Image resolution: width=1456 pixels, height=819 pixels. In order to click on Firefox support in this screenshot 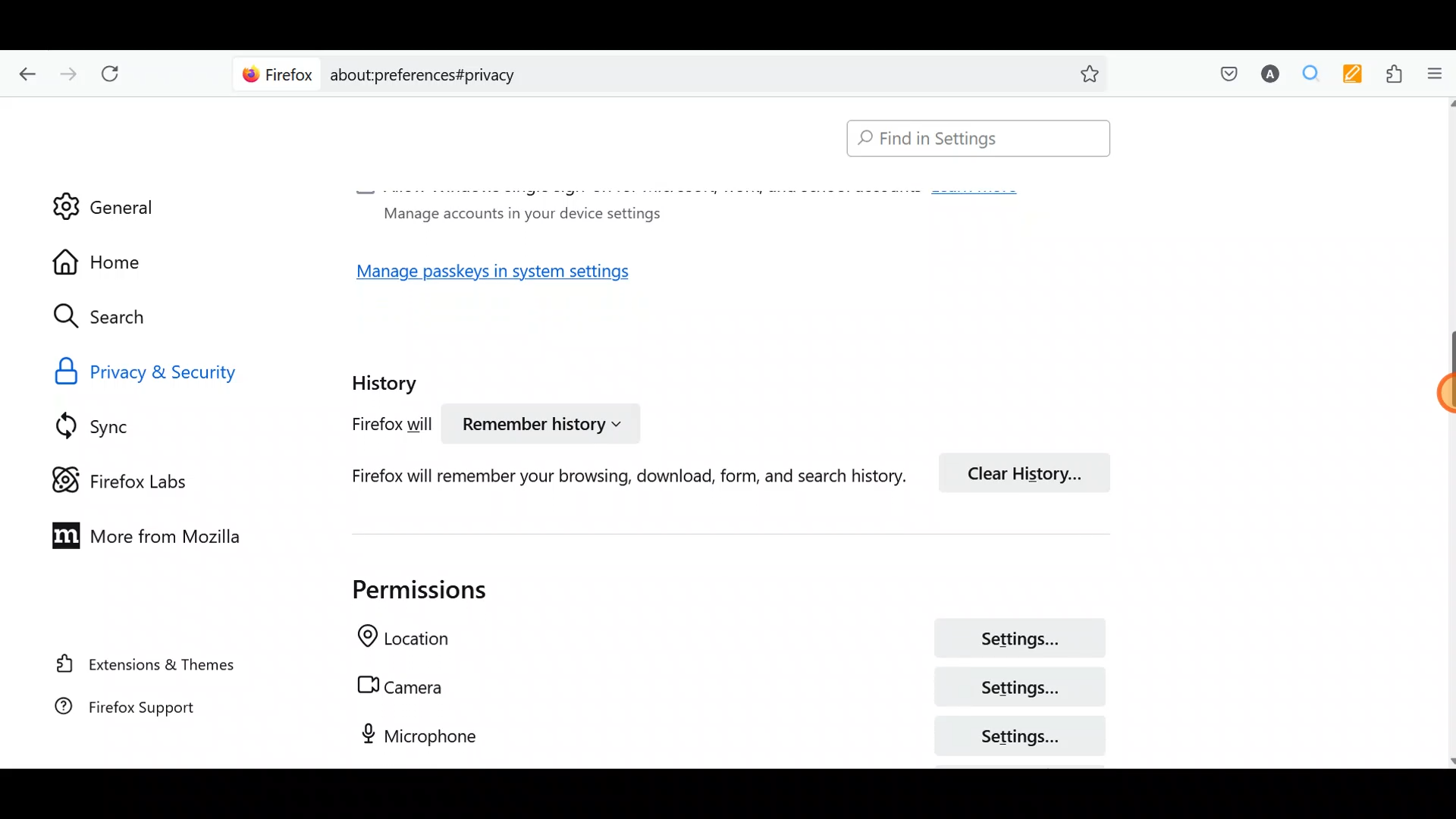, I will do `click(144, 714)`.